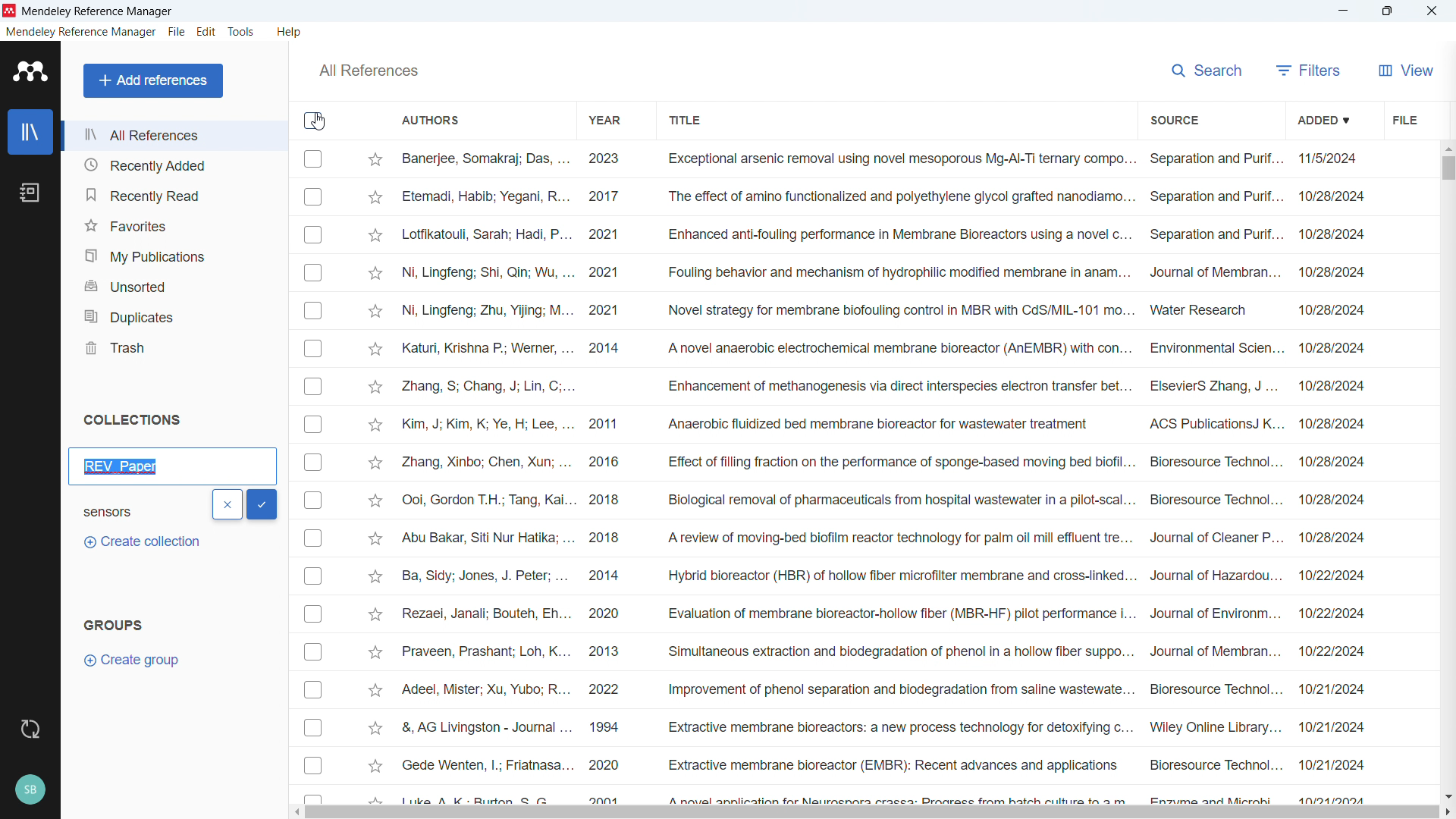 This screenshot has height=819, width=1456. I want to click on Praveen, Prashant; Loh, K... 2013 Simultaneous extraction and biodegradation of phenol in a hollow fiber suppo... Journal of Membran... 10/22/2024, so click(883, 651).